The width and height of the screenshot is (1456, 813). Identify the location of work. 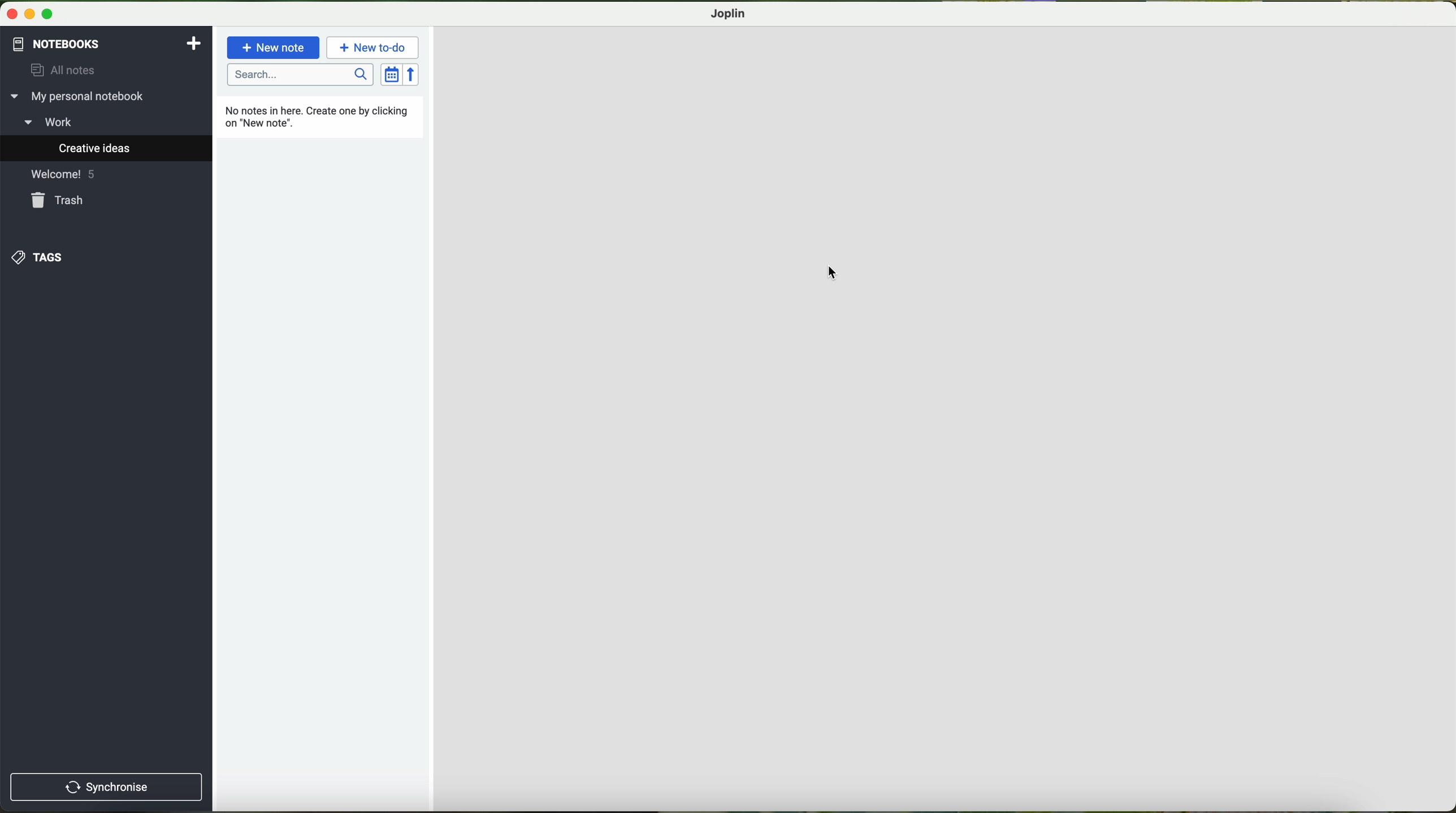
(61, 121).